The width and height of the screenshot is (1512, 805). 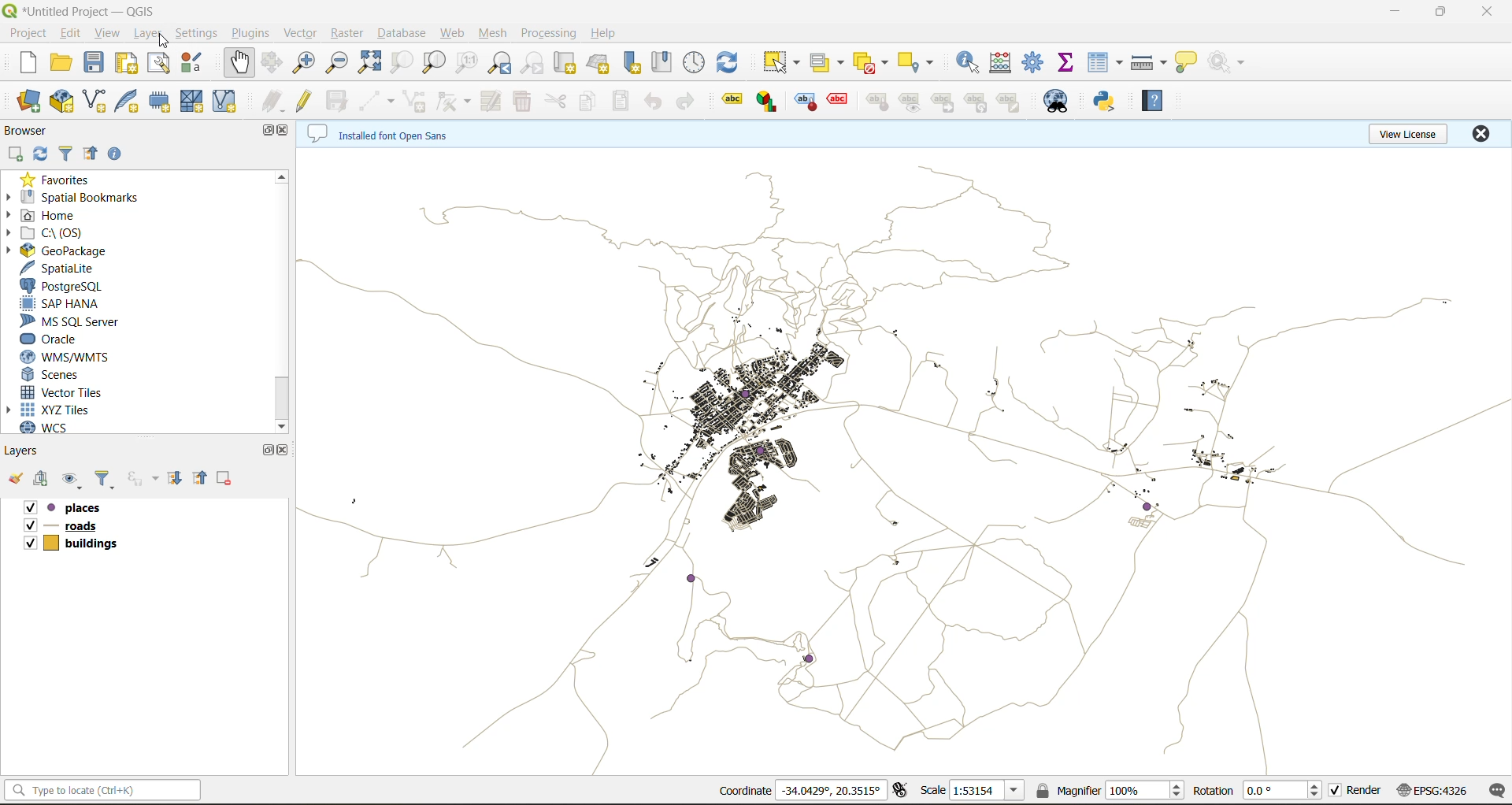 I want to click on close, so click(x=283, y=132).